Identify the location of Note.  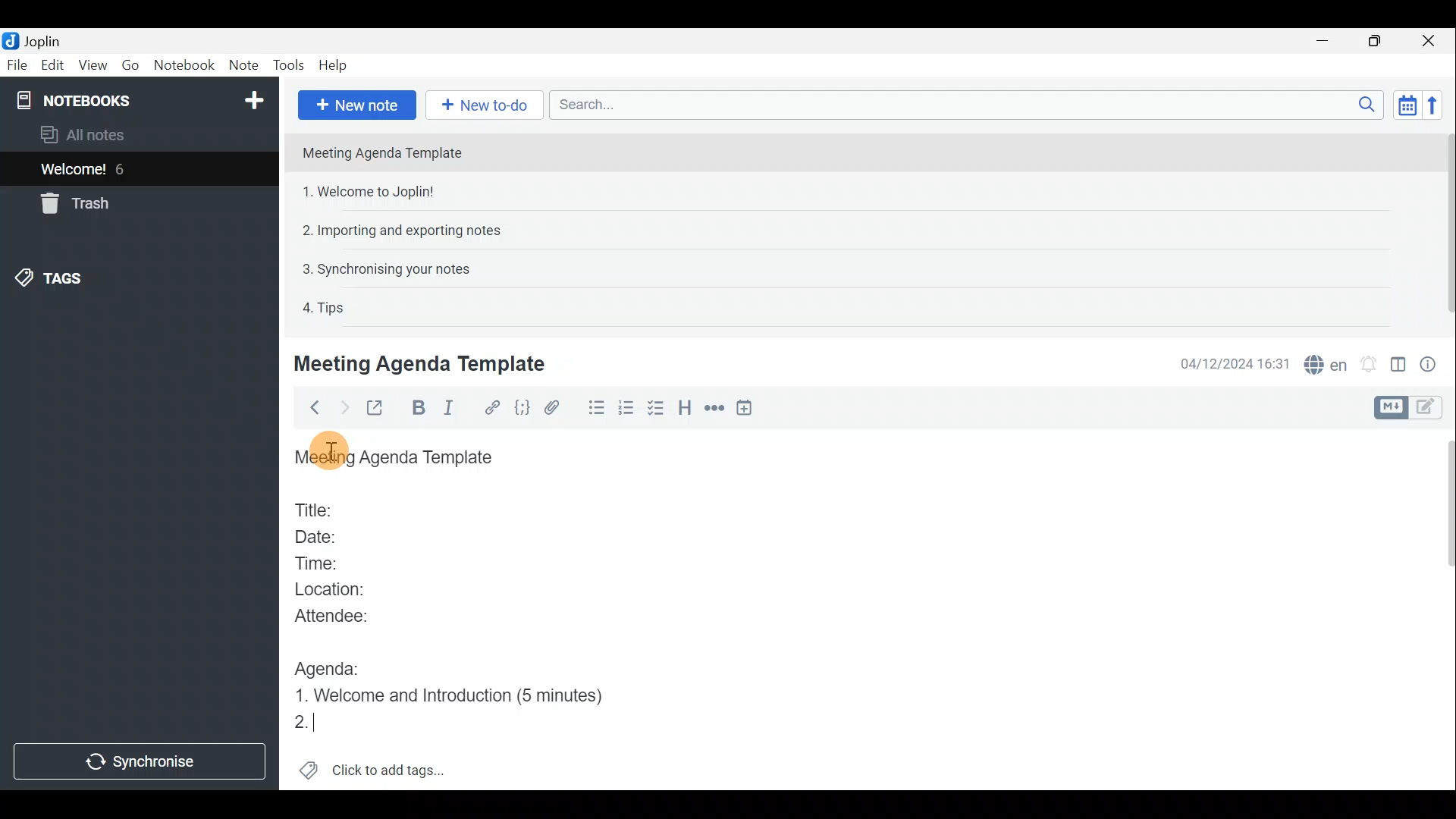
(240, 62).